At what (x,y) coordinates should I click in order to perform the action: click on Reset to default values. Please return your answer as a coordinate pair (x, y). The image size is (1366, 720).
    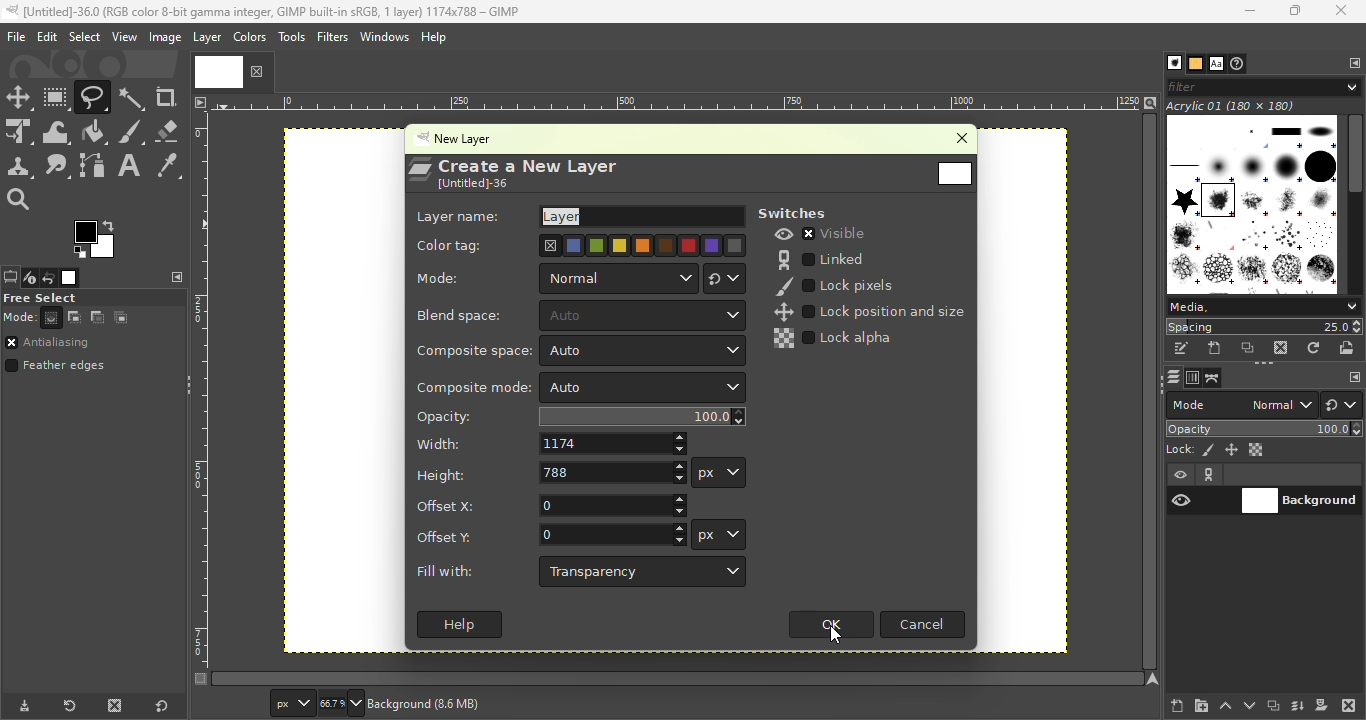
    Looking at the image, I should click on (159, 703).